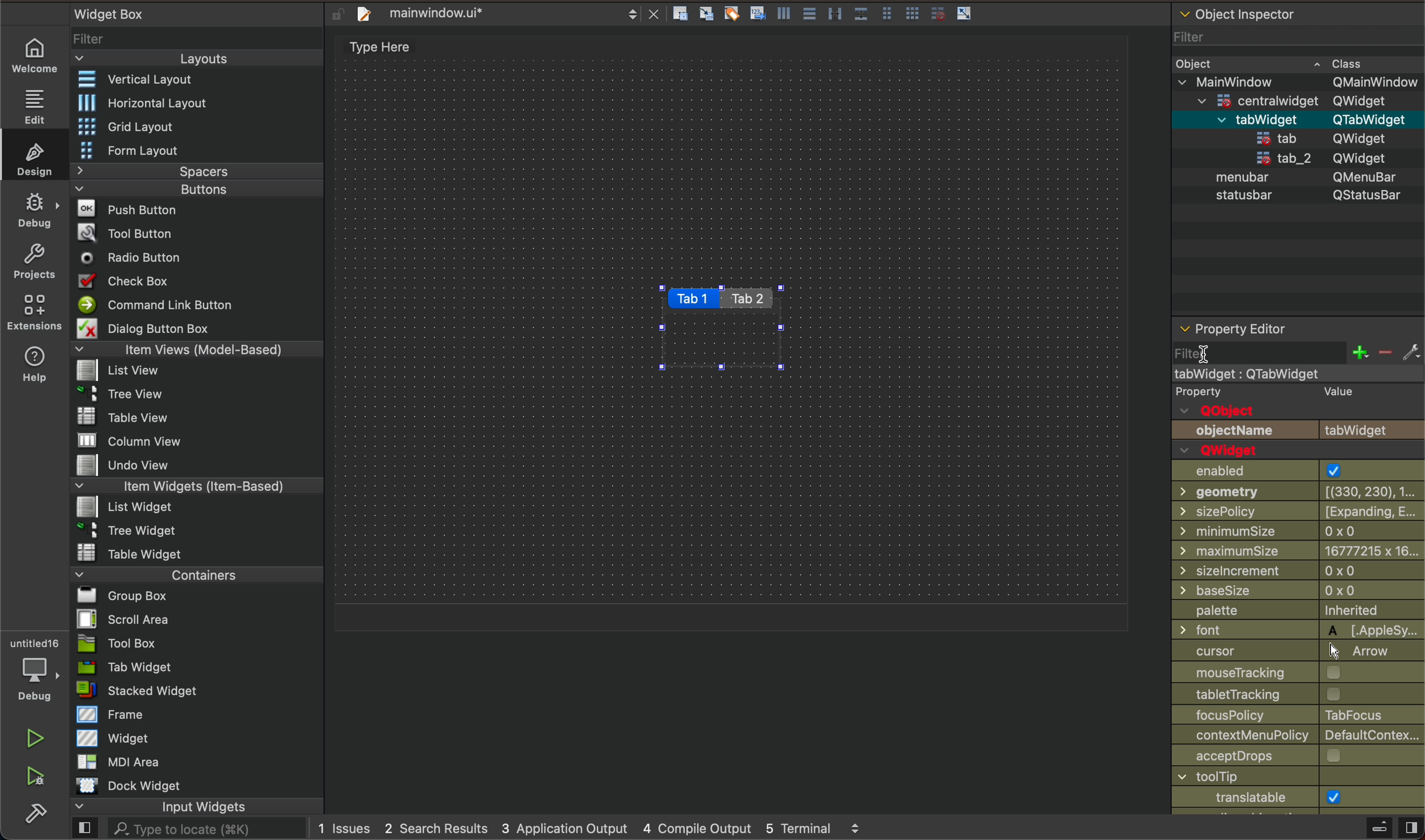  Describe the element at coordinates (37, 362) in the screenshot. I see `help` at that location.